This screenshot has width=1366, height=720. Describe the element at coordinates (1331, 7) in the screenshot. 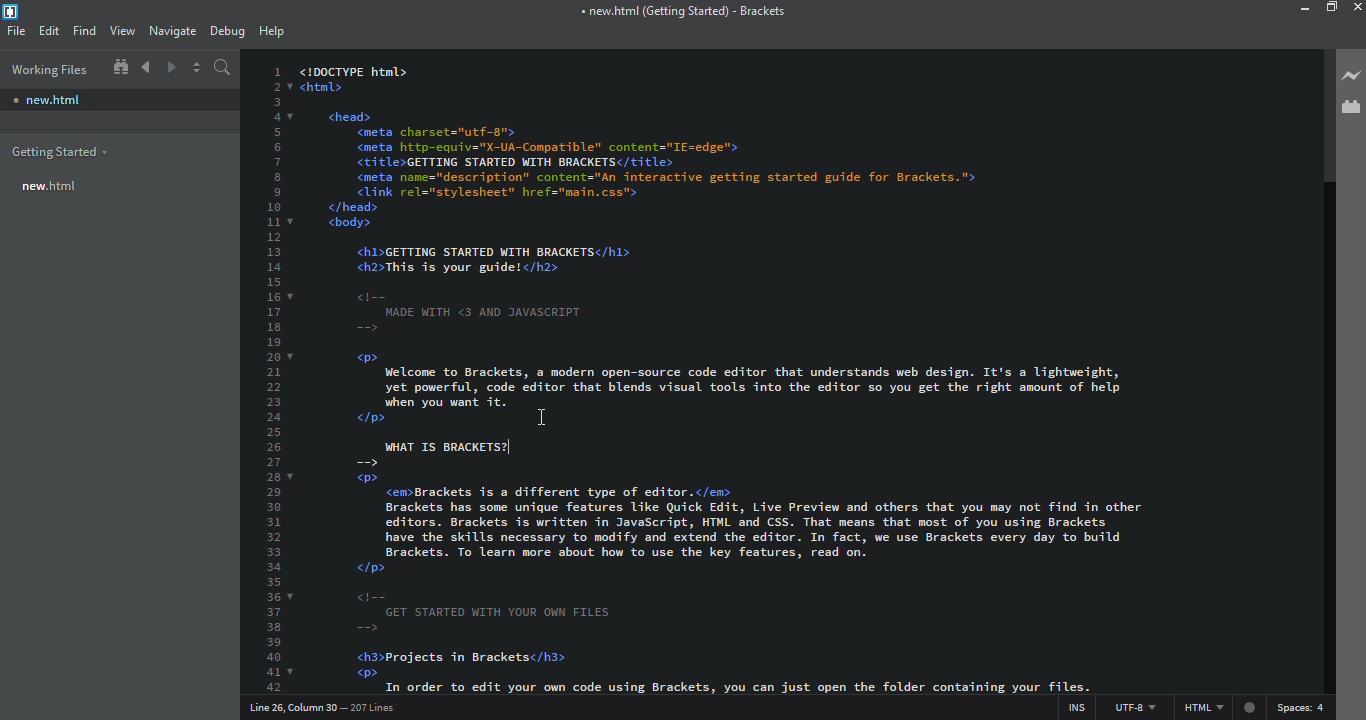

I see `maximize` at that location.